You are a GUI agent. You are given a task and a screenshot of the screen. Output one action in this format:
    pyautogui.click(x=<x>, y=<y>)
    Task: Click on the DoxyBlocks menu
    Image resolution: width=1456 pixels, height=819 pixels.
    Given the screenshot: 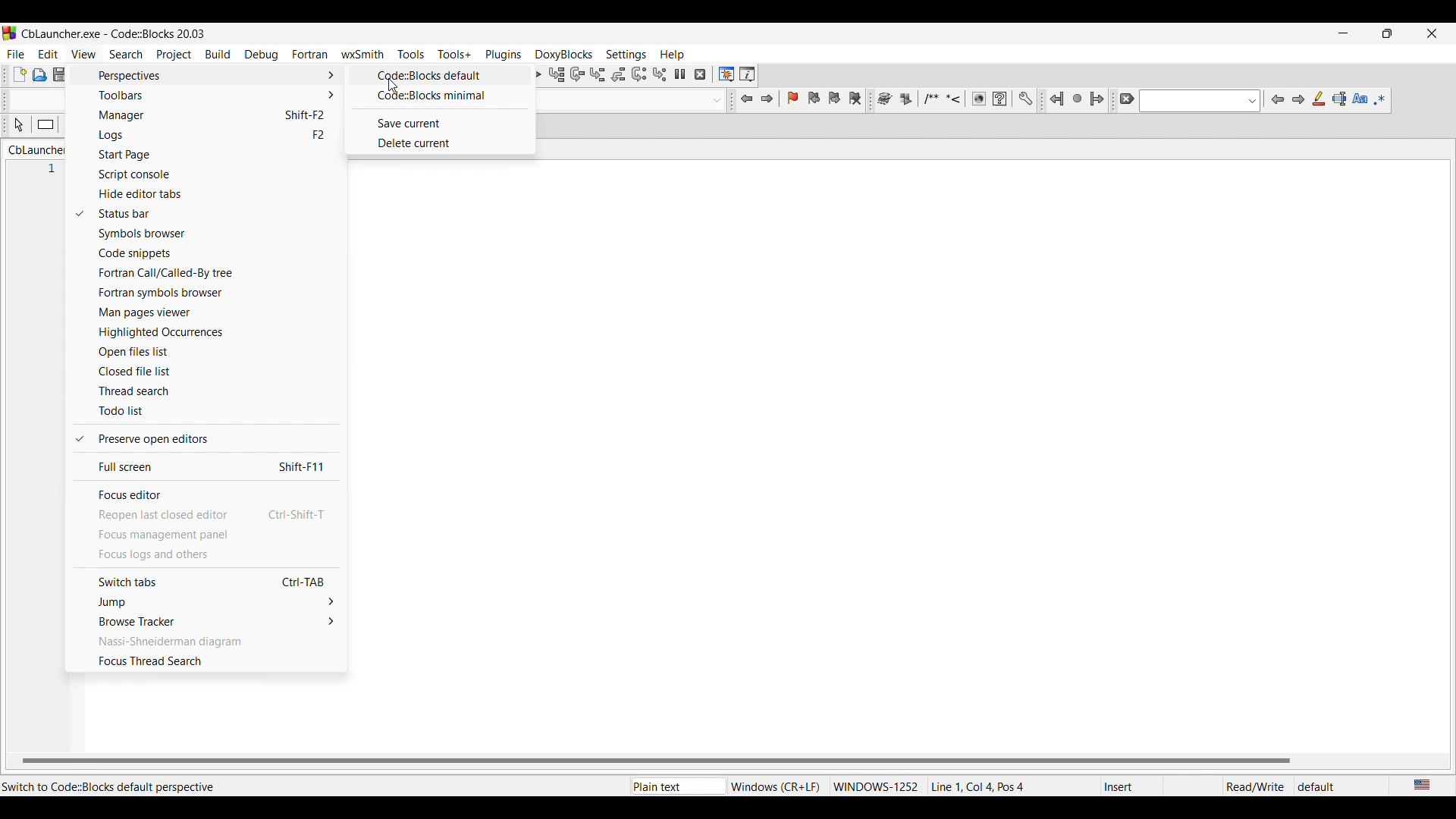 What is the action you would take?
    pyautogui.click(x=564, y=55)
    